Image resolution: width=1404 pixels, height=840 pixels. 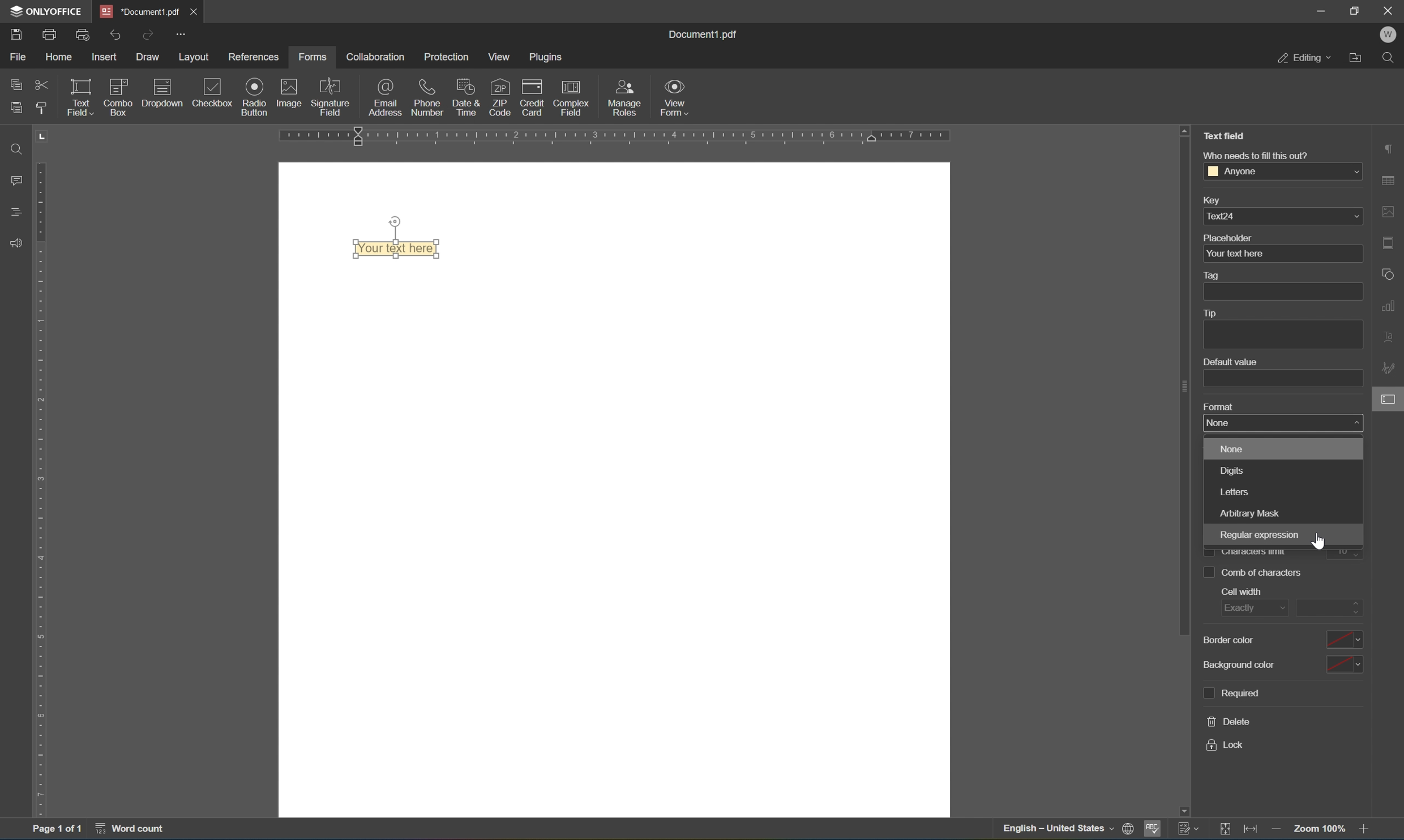 What do you see at coordinates (1228, 135) in the screenshot?
I see `text field` at bounding box center [1228, 135].